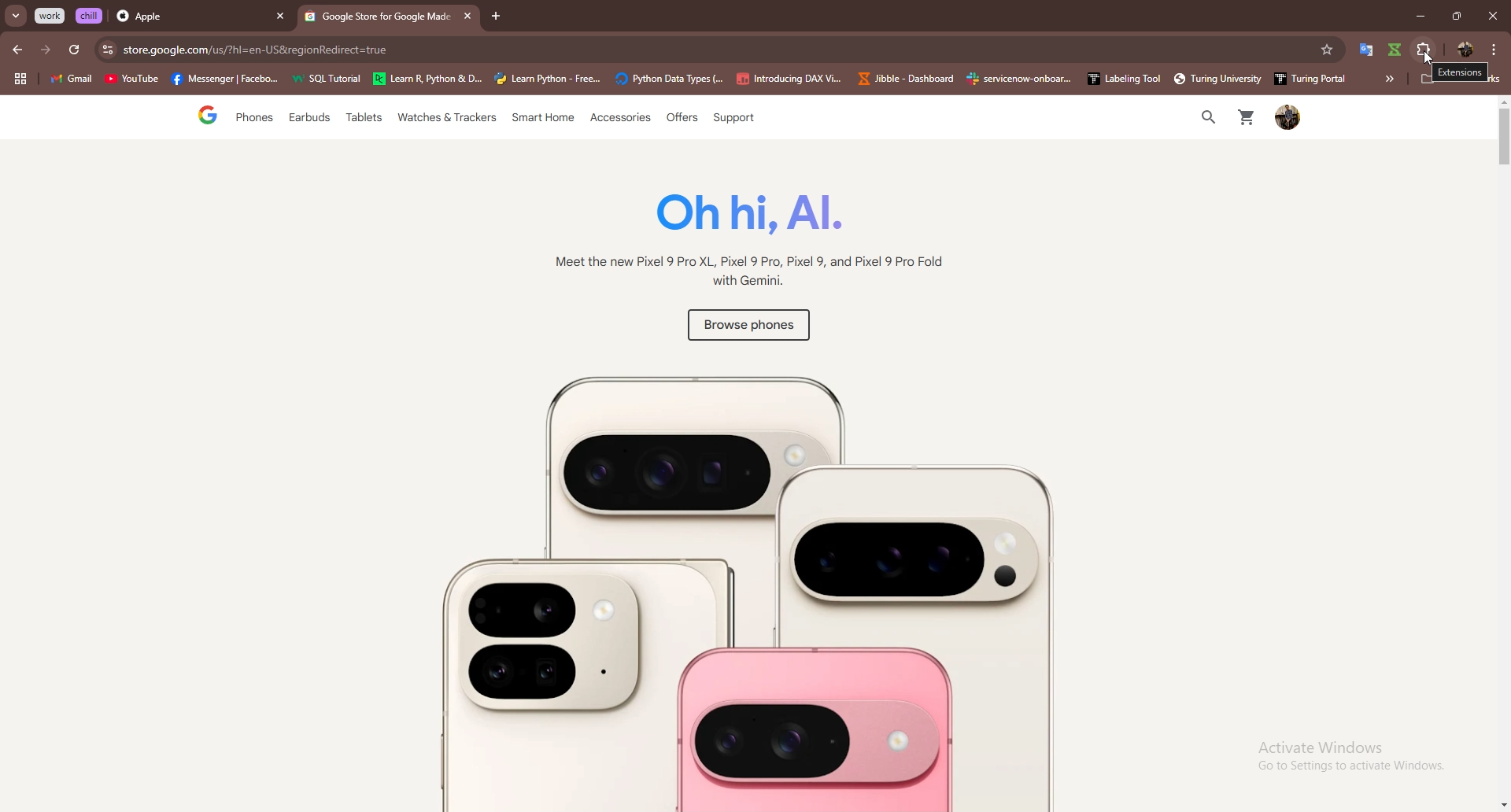 This screenshot has height=812, width=1511. I want to click on tab groups, so click(20, 79).